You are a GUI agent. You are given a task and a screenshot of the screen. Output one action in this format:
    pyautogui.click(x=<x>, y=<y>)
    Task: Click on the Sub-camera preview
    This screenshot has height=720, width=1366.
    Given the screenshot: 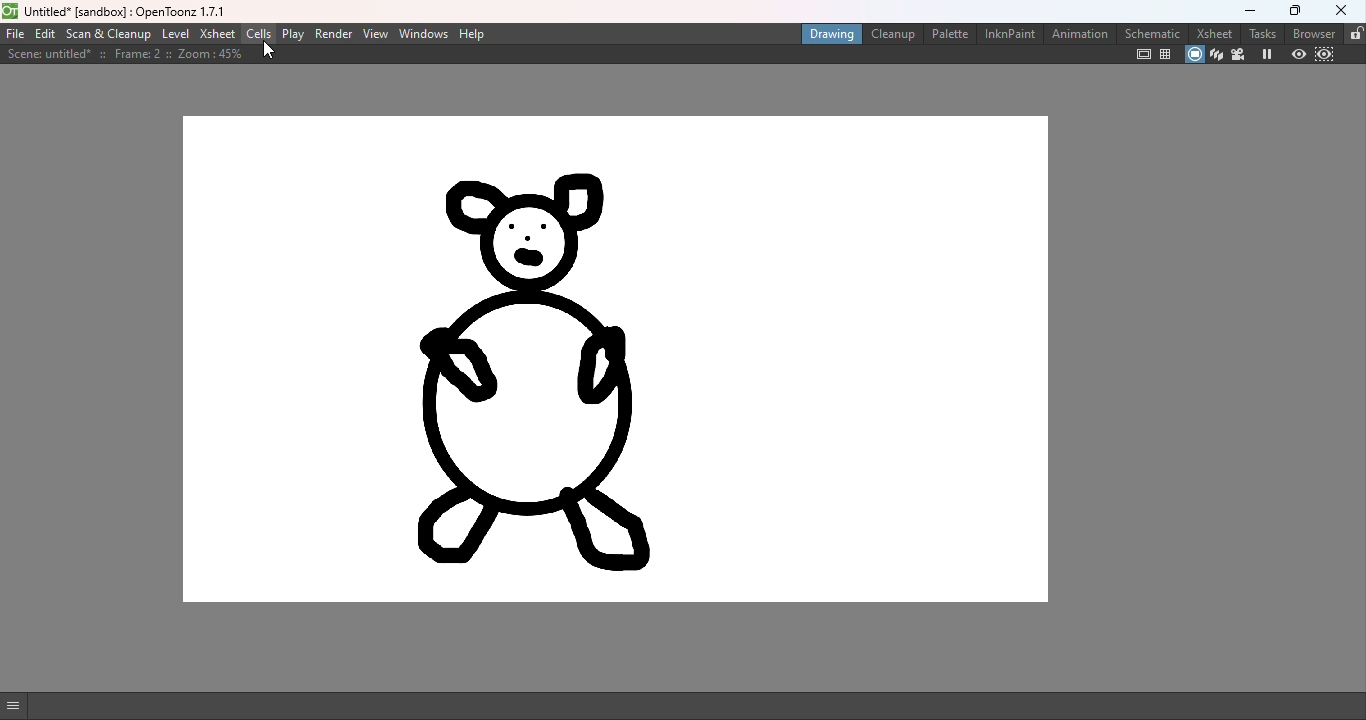 What is the action you would take?
    pyautogui.click(x=1325, y=55)
    